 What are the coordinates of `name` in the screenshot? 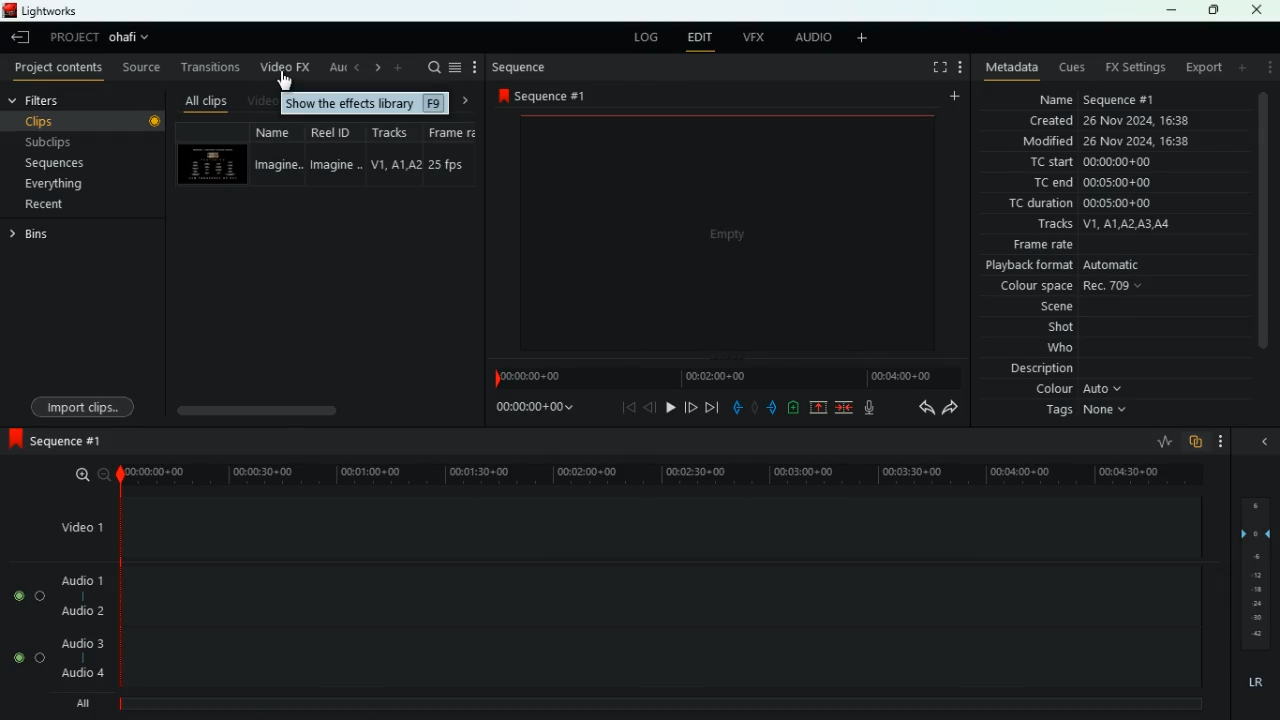 It's located at (278, 153).